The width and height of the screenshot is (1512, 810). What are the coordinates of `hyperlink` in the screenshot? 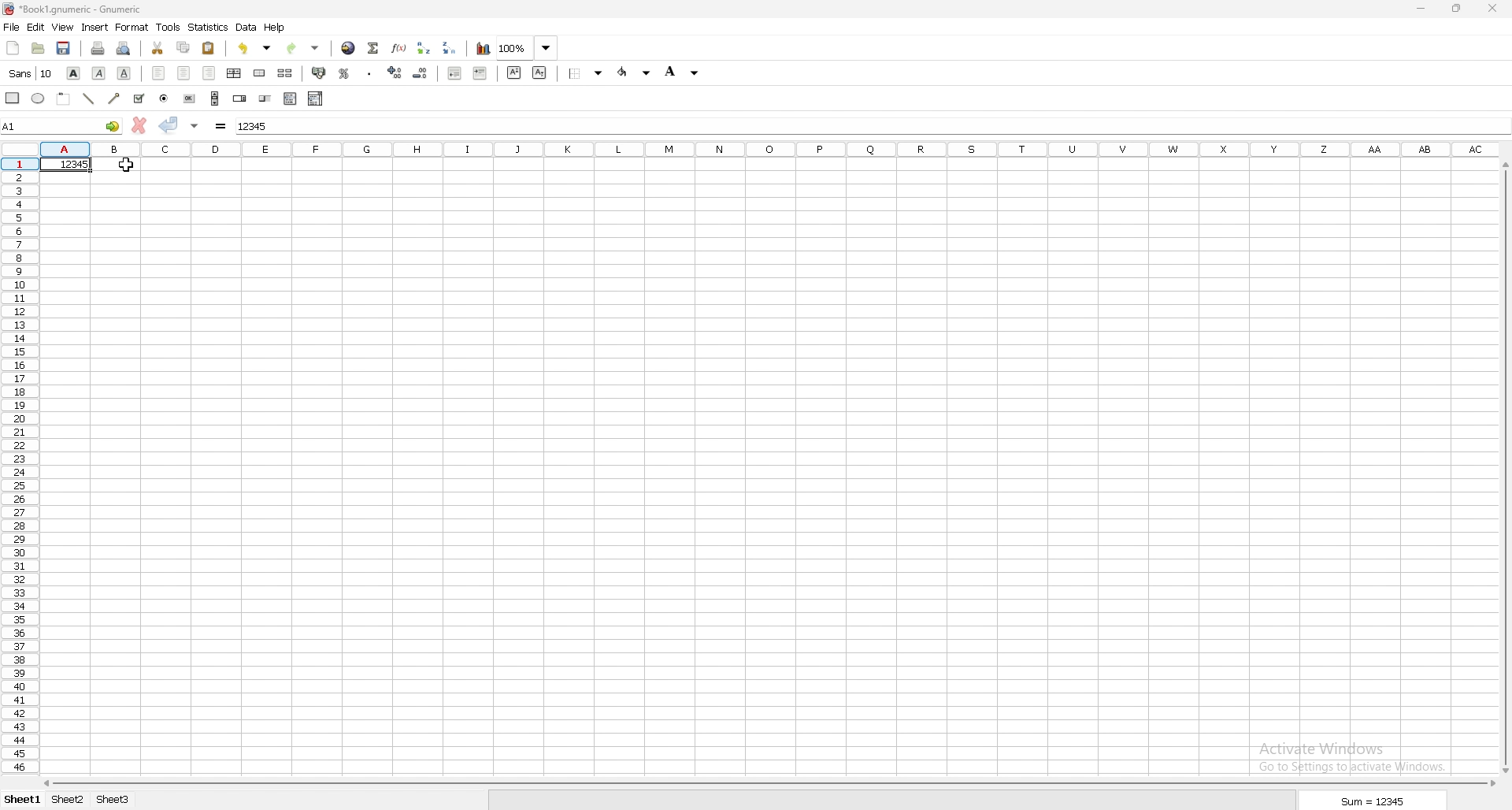 It's located at (350, 47).